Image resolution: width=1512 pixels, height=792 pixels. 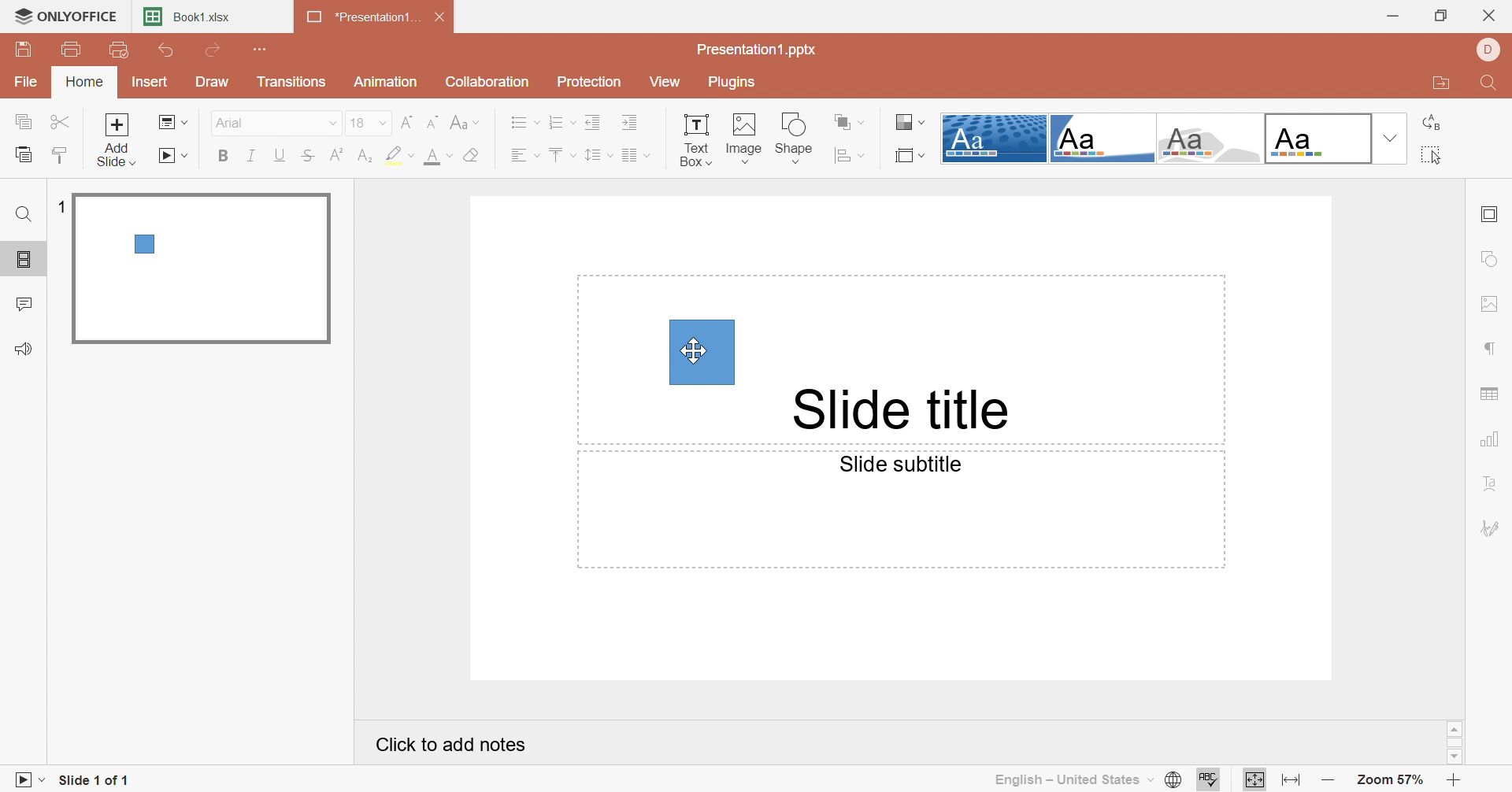 I want to click on Increment font size, so click(x=409, y=121).